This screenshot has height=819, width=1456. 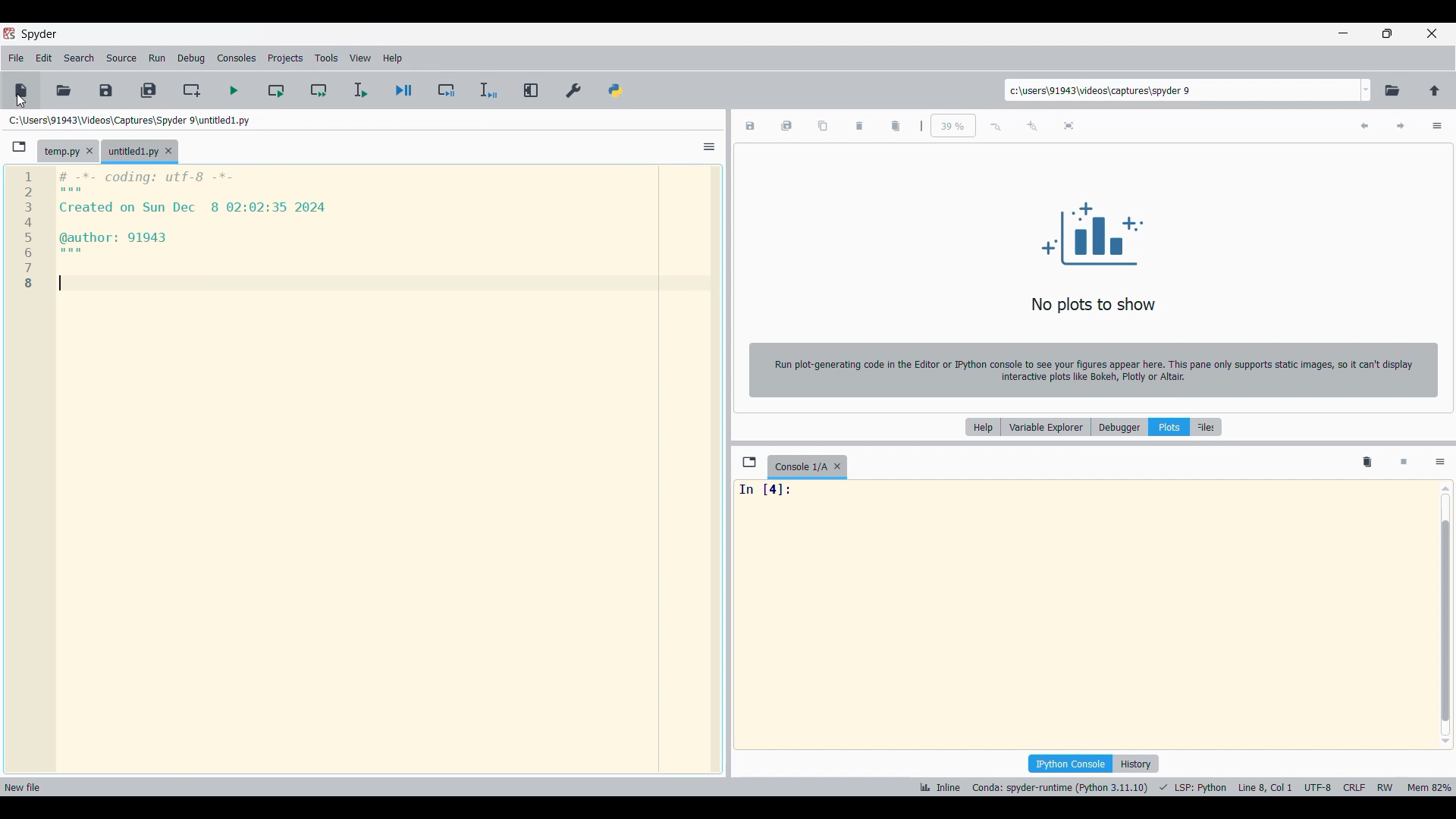 What do you see at coordinates (1441, 463) in the screenshot?
I see `Options` at bounding box center [1441, 463].